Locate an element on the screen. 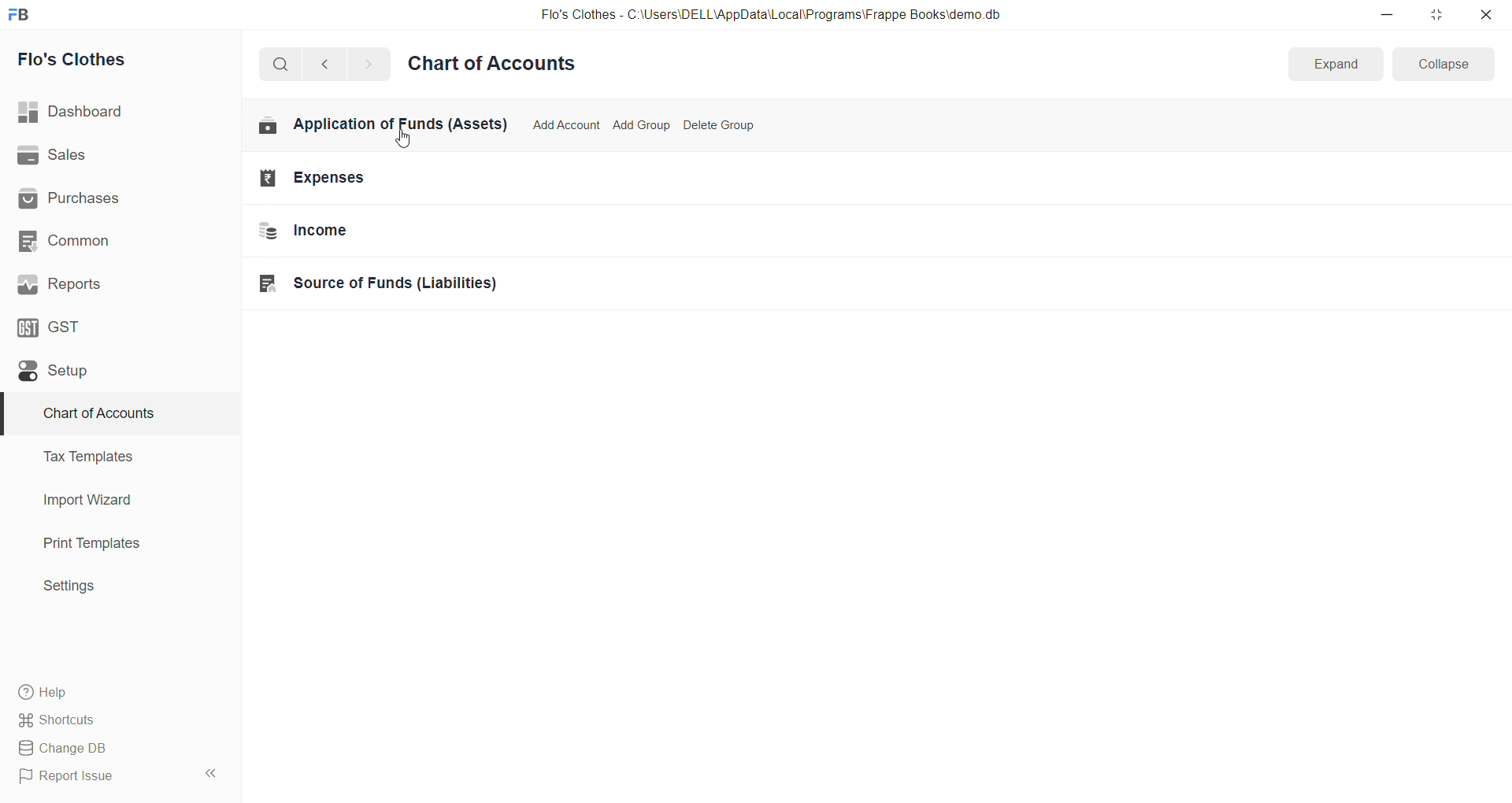 Image resolution: width=1512 pixels, height=803 pixels. Chart of Accounts is located at coordinates (496, 65).